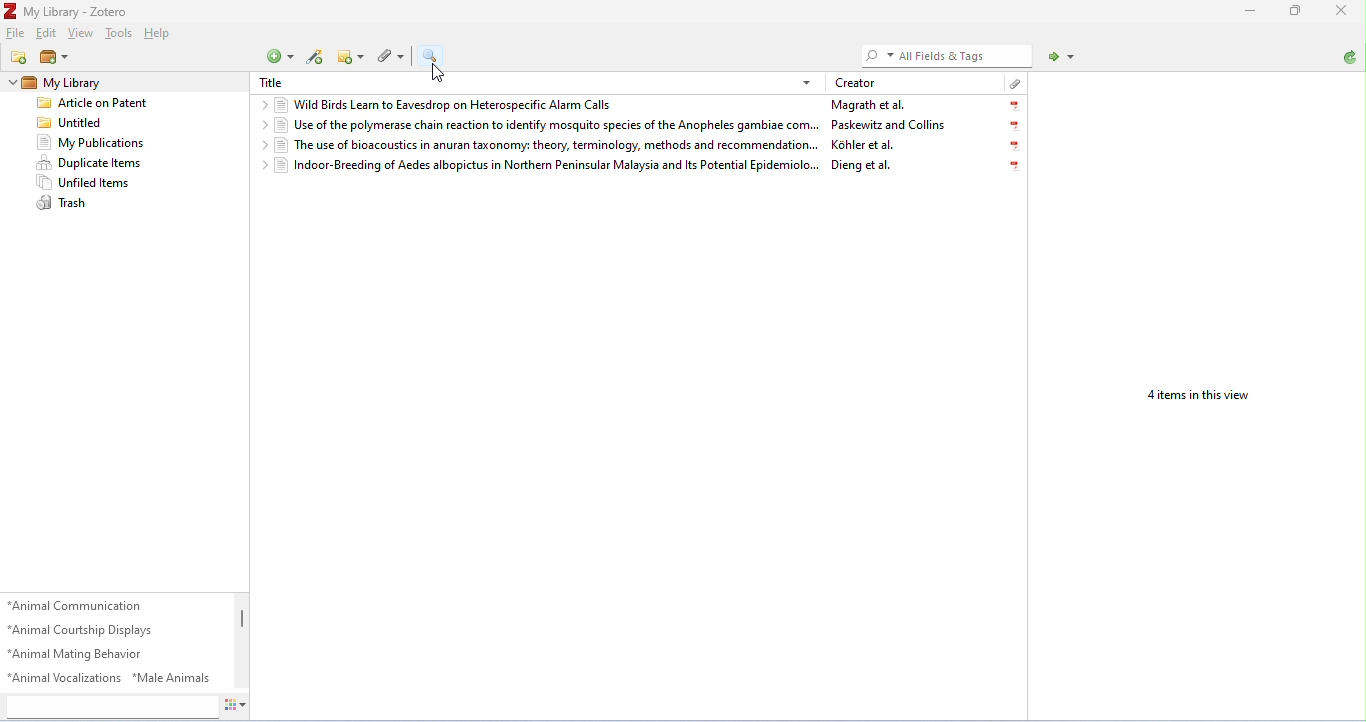  I want to click on creator, so click(859, 83).